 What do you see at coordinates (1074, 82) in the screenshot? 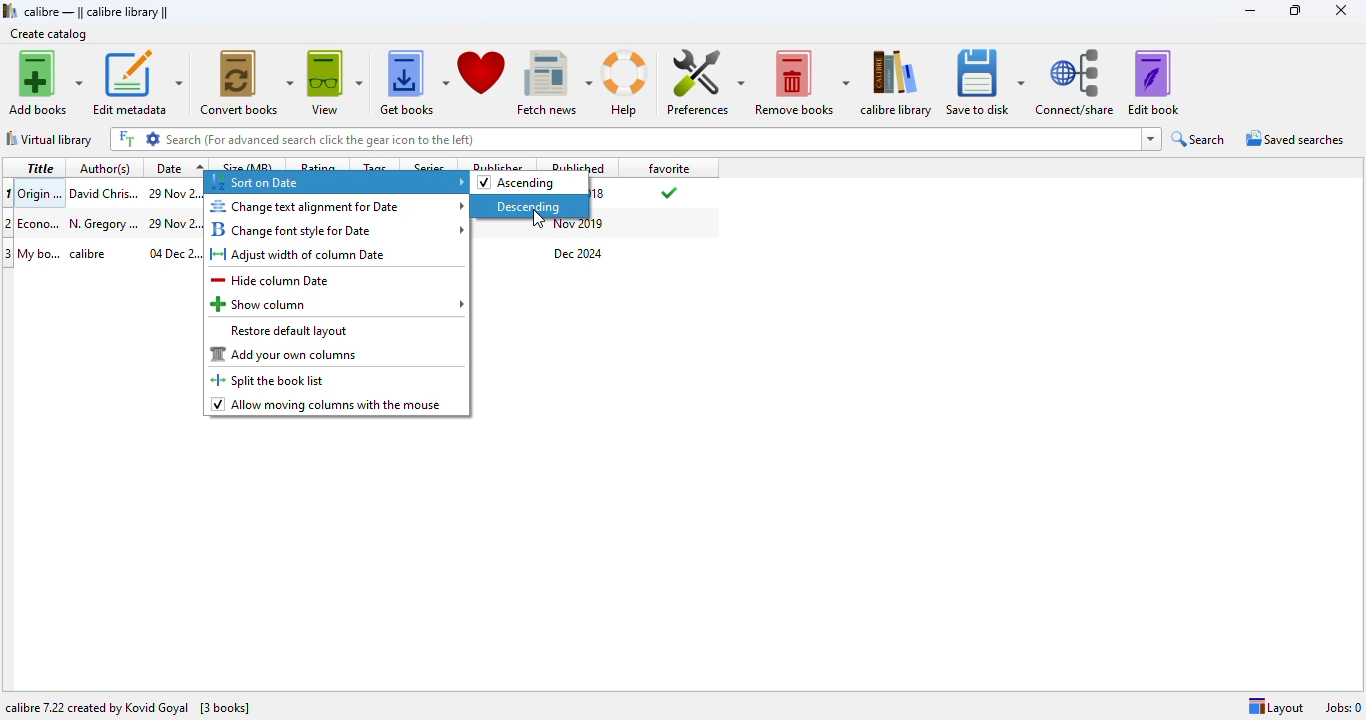
I see `connect/share` at bounding box center [1074, 82].